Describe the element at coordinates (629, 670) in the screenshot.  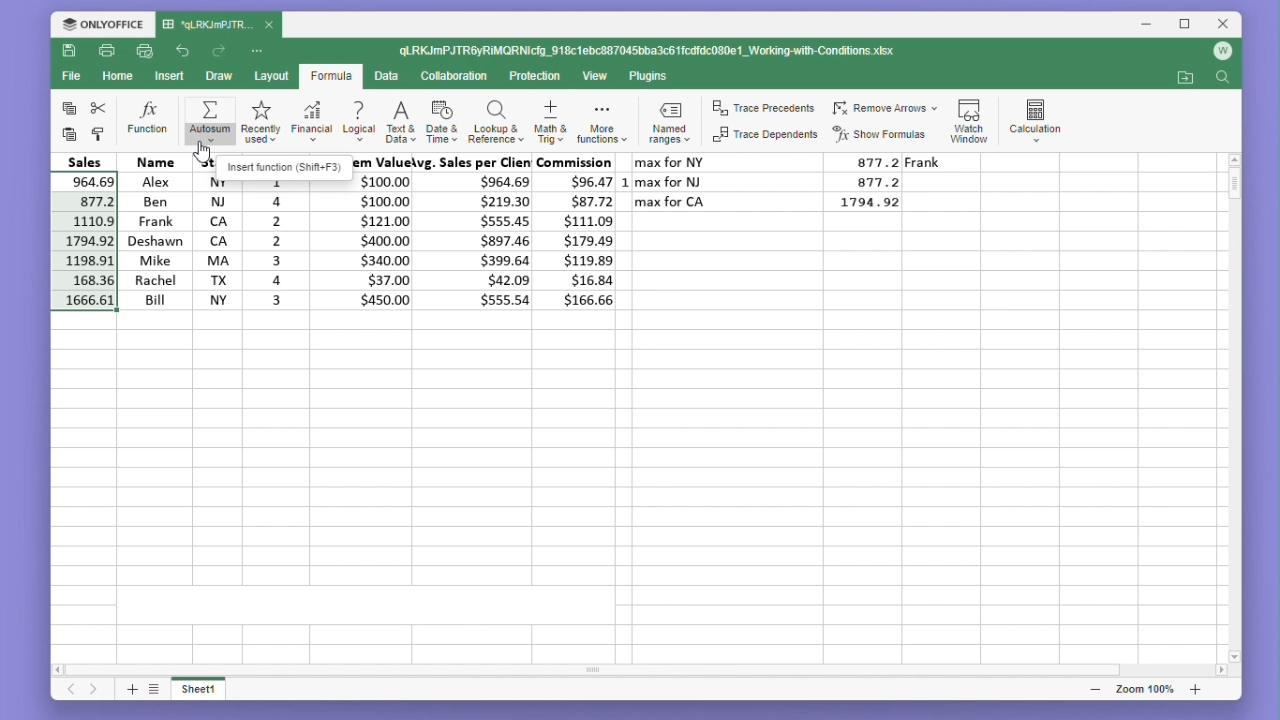
I see `Horizontal scroll bar` at that location.